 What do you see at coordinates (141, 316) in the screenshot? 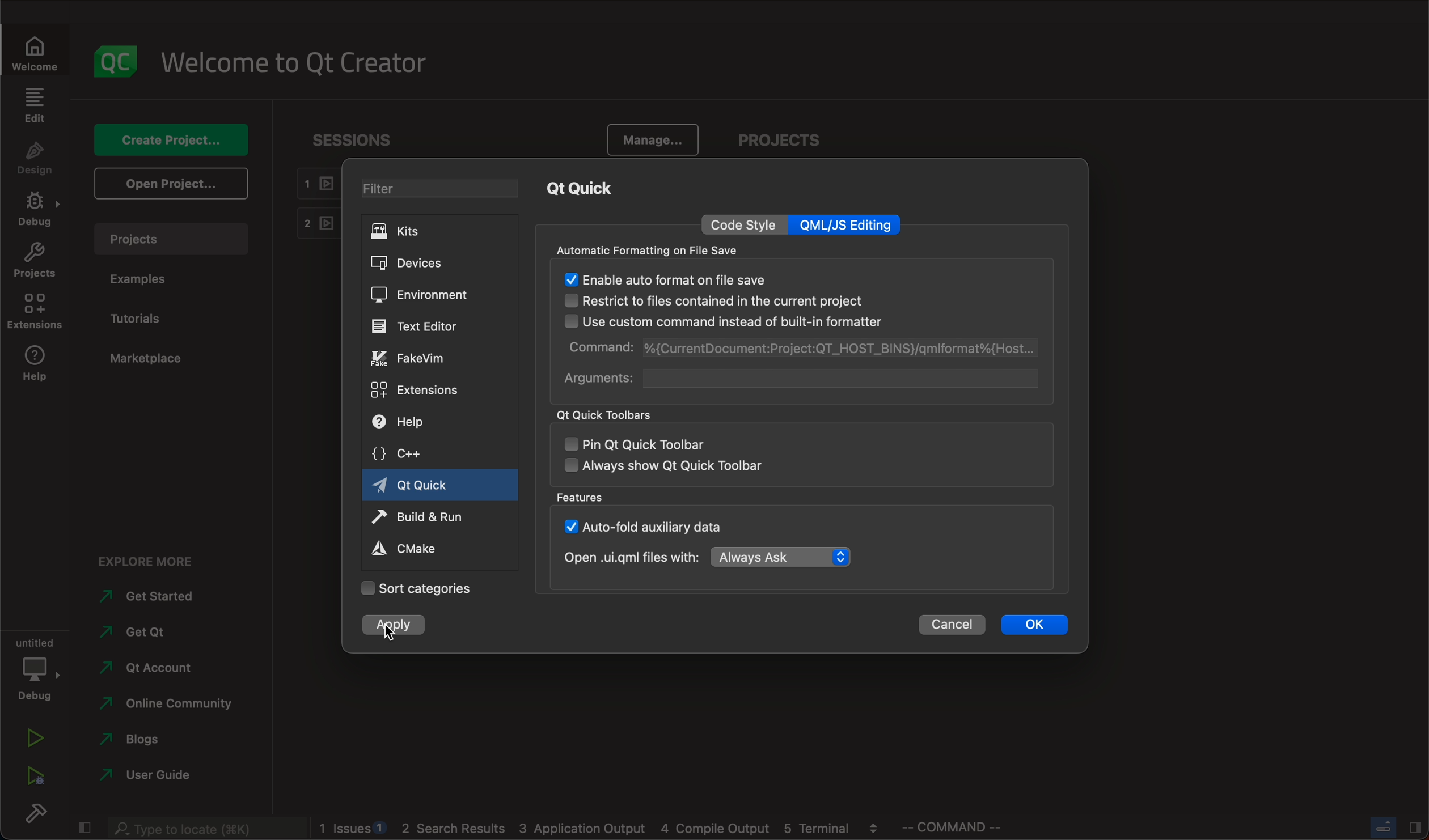
I see `tutorials` at bounding box center [141, 316].